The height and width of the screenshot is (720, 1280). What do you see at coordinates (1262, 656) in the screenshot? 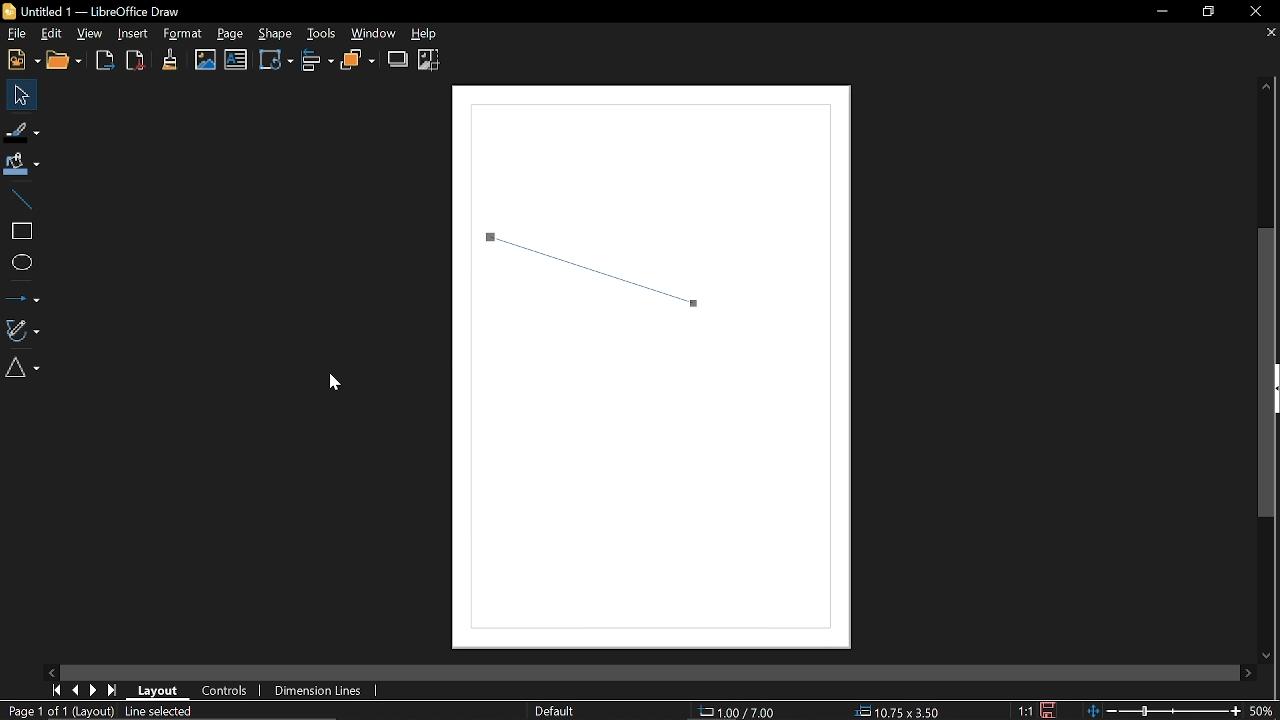
I see `Move down` at bounding box center [1262, 656].